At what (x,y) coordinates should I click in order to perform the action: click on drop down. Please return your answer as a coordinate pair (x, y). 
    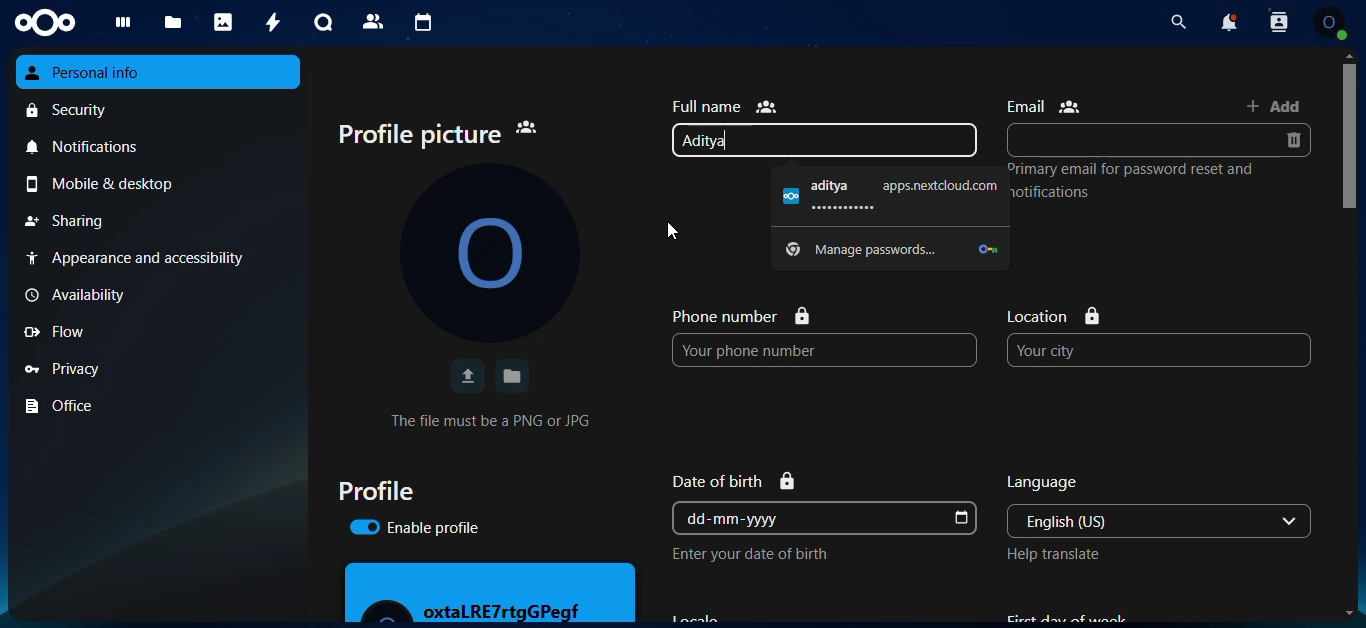
    Looking at the image, I should click on (1290, 521).